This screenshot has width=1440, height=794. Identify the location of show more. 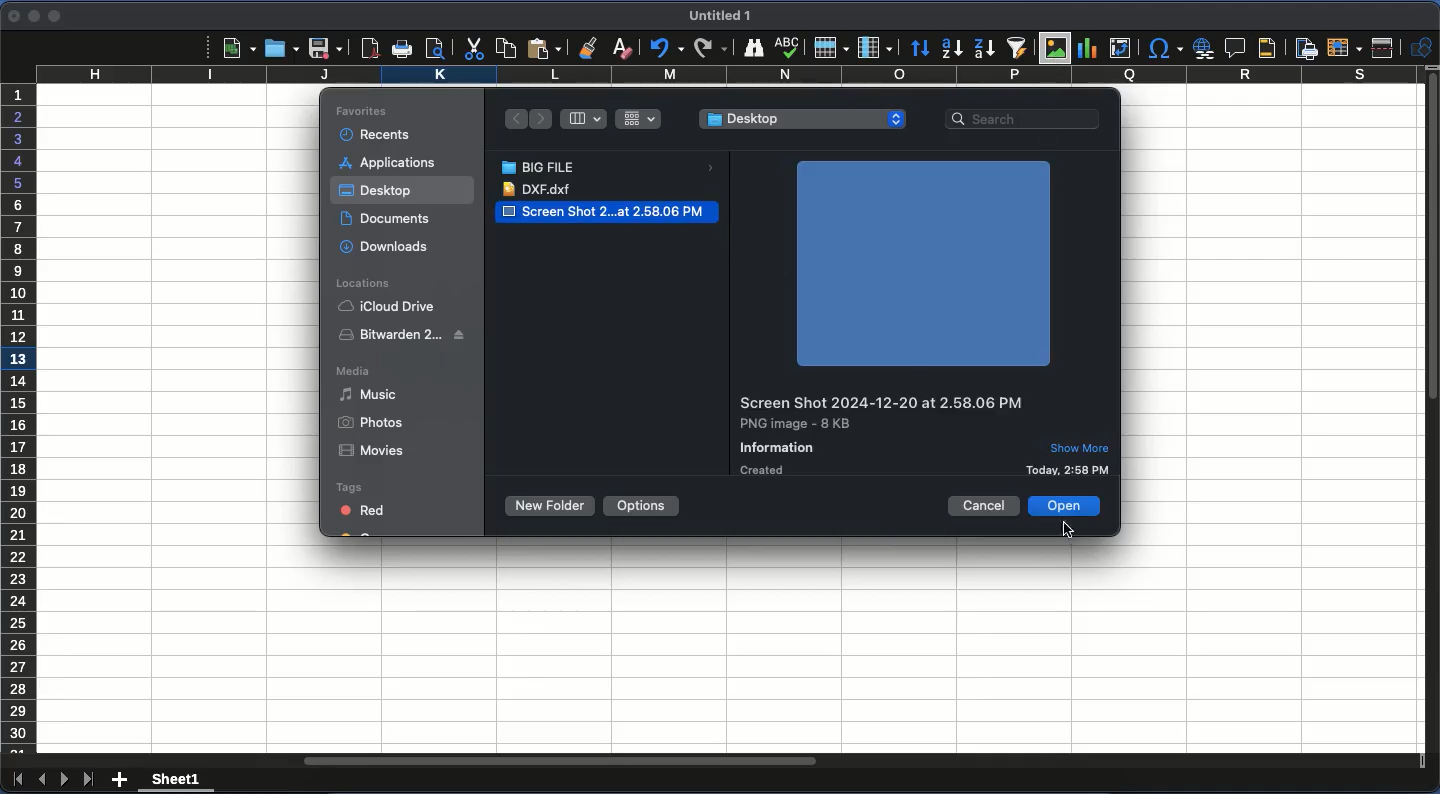
(1083, 449).